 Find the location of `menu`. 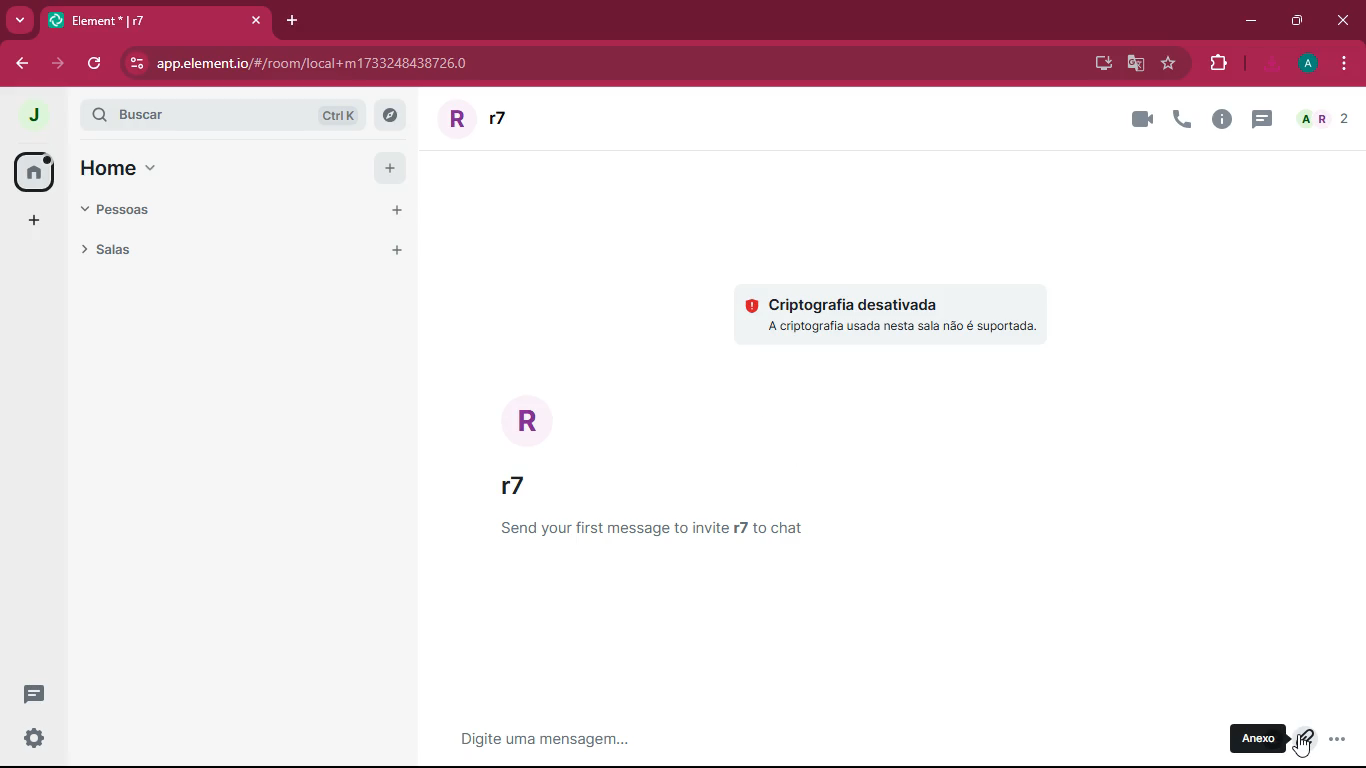

menu is located at coordinates (1340, 64).